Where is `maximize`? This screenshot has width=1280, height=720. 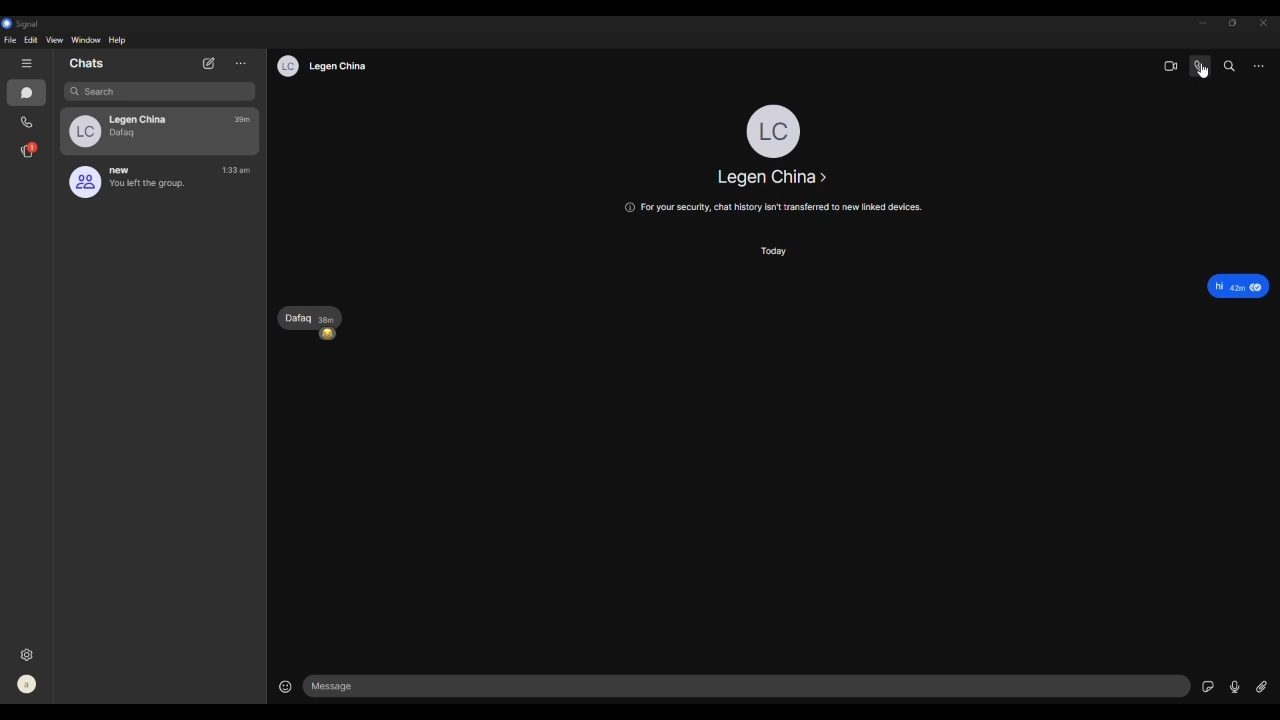 maximize is located at coordinates (1233, 23).